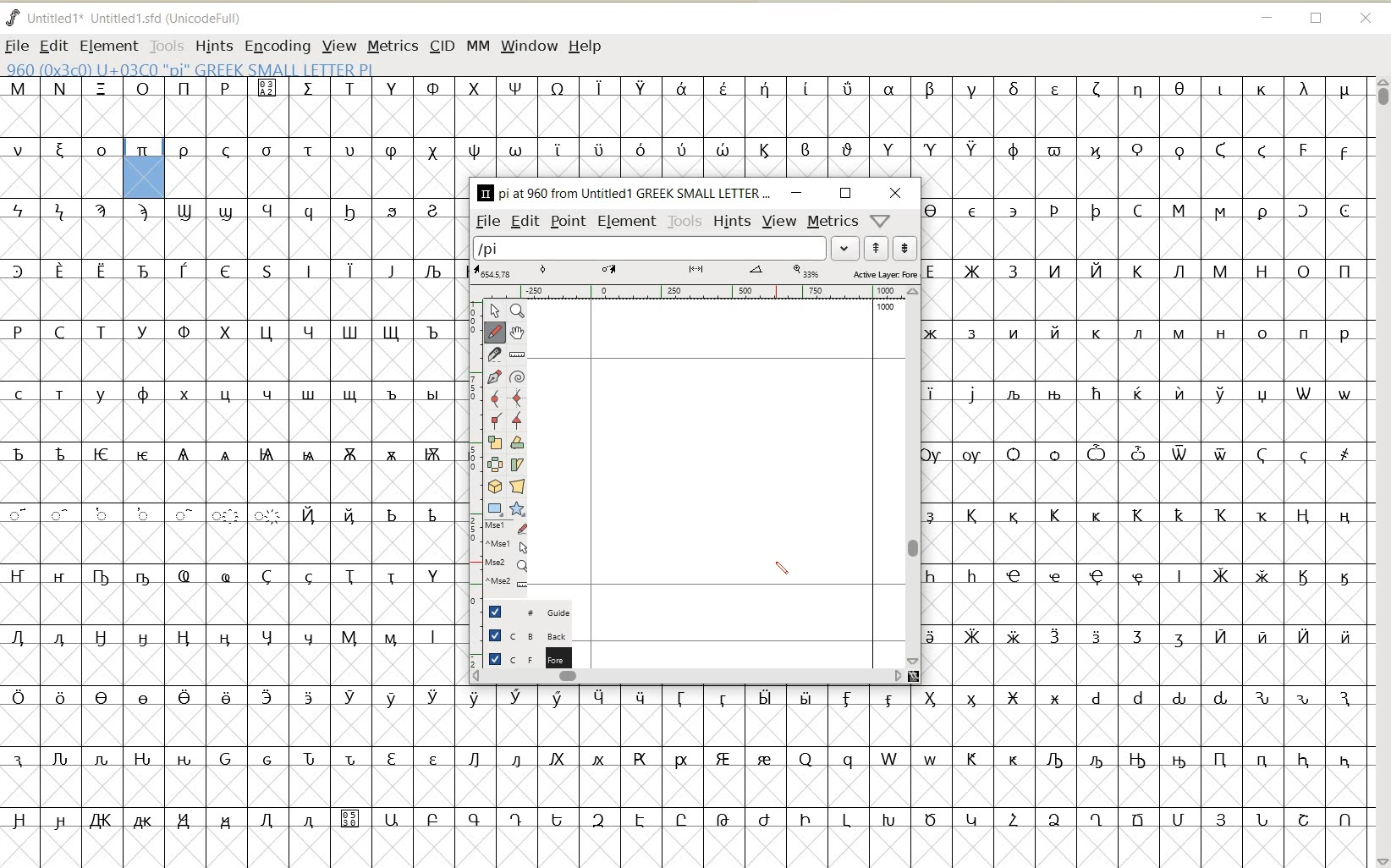 The width and height of the screenshot is (1391, 868). What do you see at coordinates (1158, 442) in the screenshot?
I see `glyph characters` at bounding box center [1158, 442].